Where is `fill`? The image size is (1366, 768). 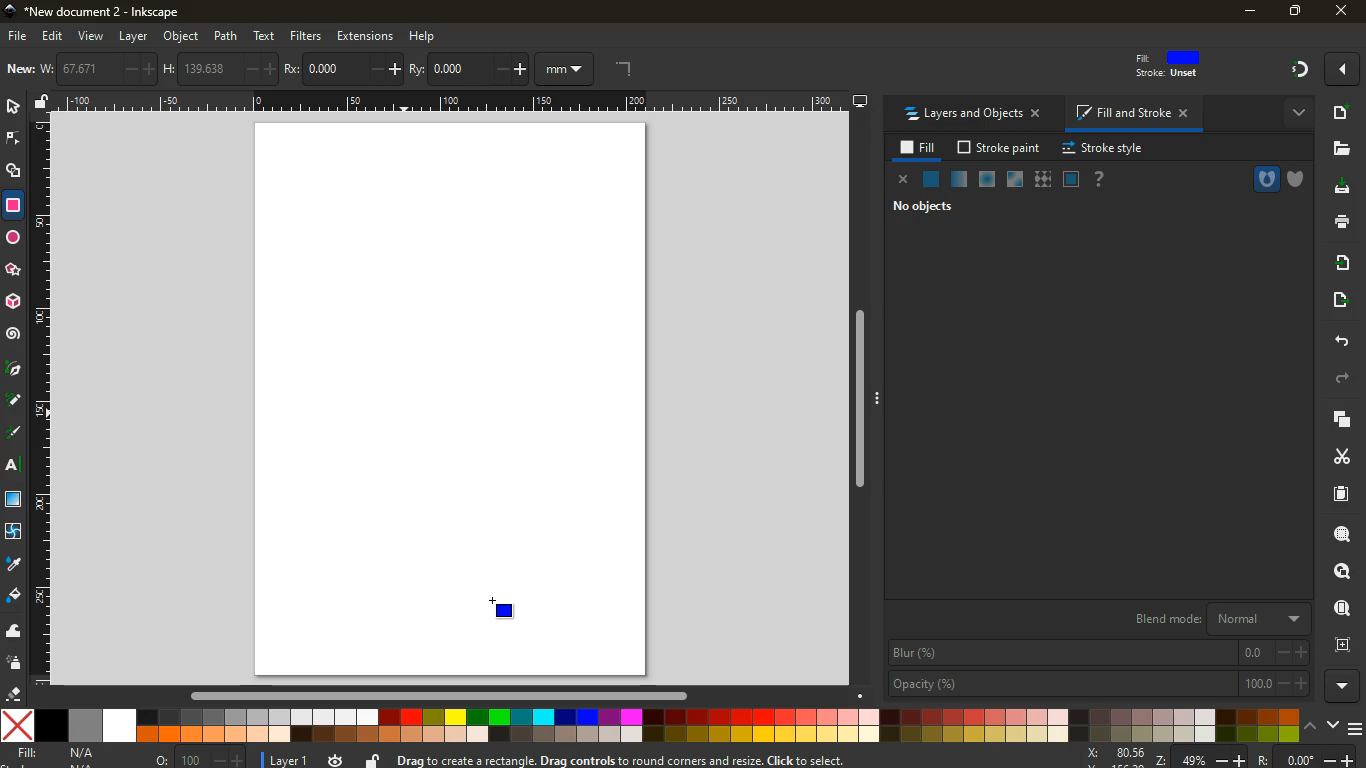
fill is located at coordinates (1169, 64).